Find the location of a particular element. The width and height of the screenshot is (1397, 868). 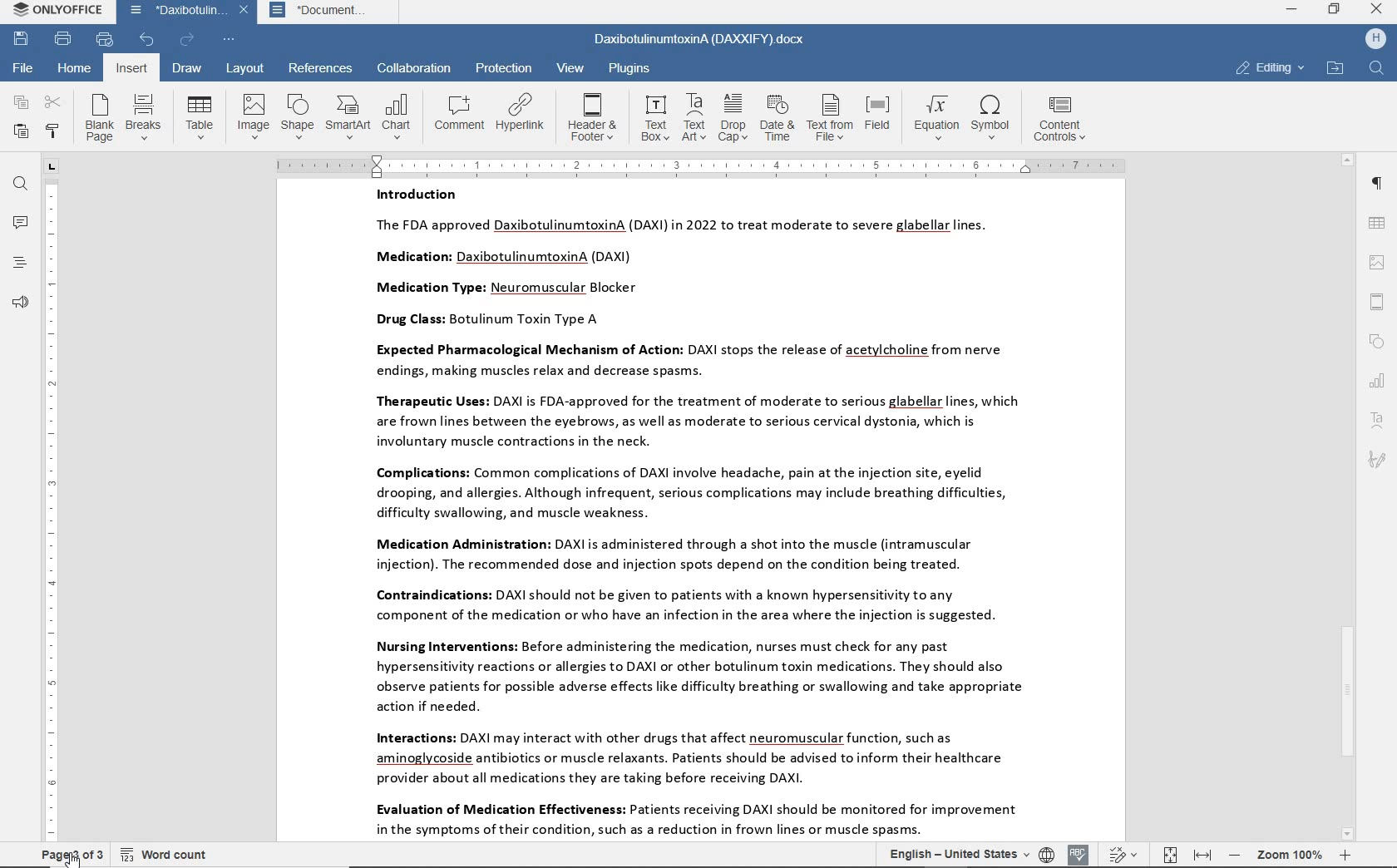

chart is located at coordinates (1378, 382).